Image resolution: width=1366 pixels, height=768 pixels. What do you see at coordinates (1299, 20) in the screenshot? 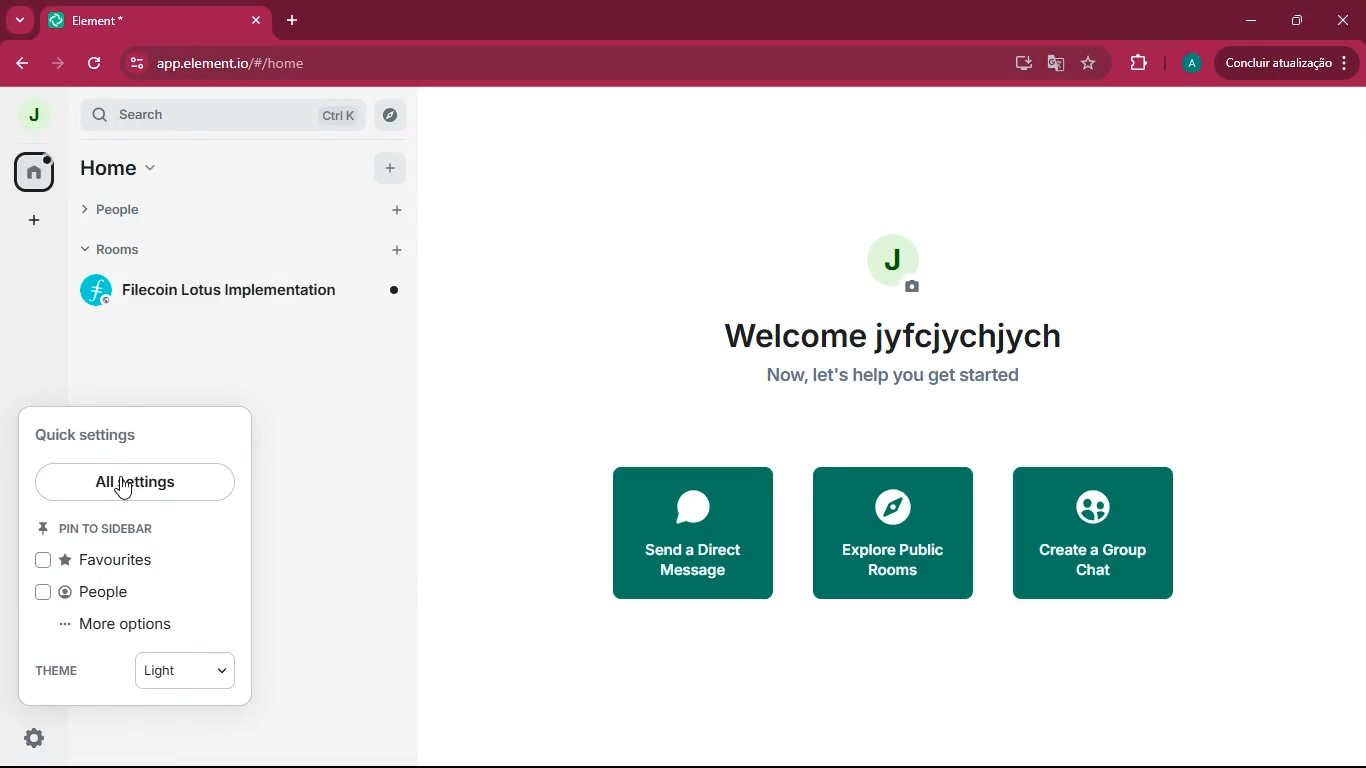
I see `maximize` at bounding box center [1299, 20].